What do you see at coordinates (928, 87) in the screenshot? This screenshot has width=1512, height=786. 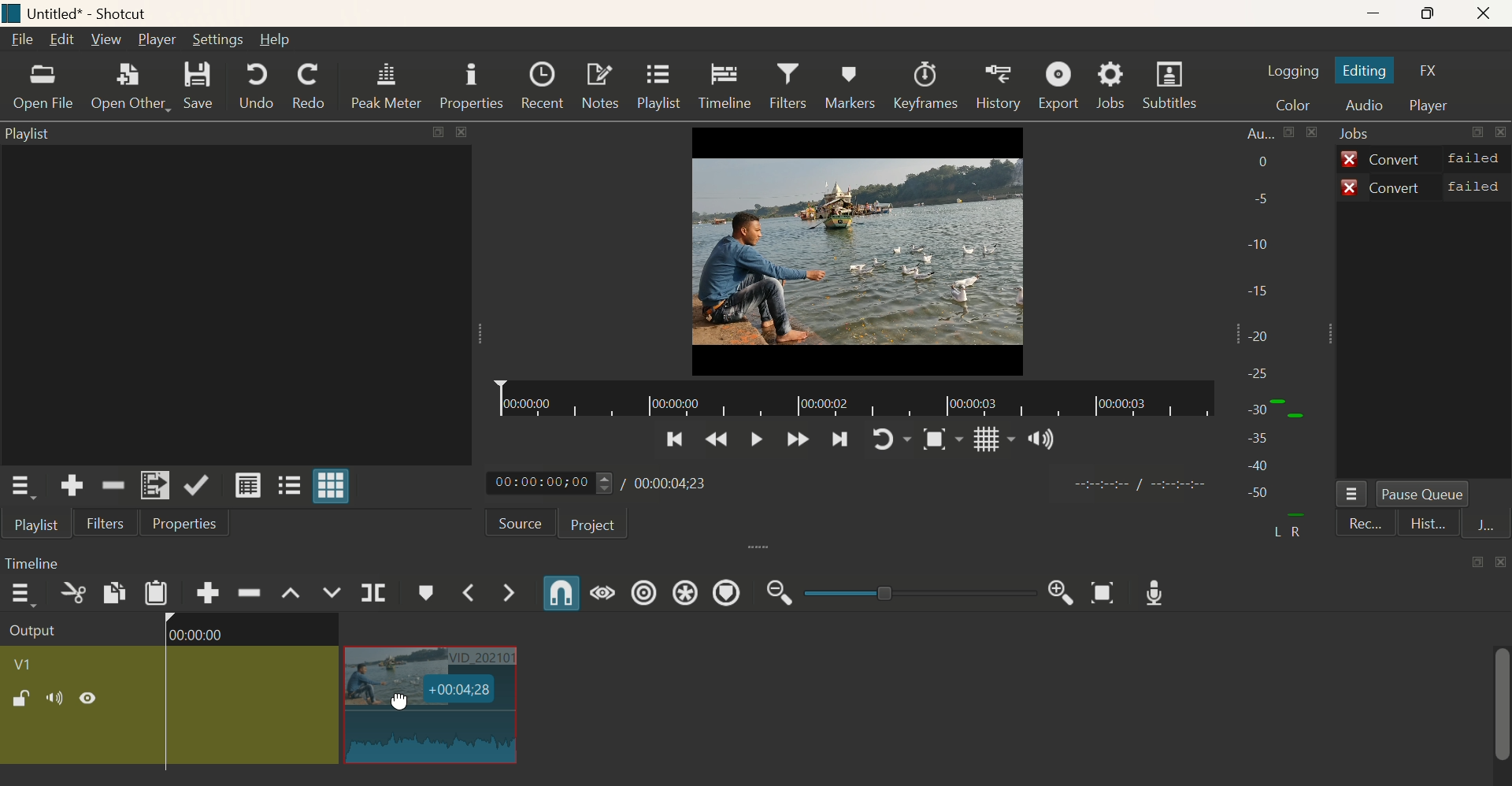 I see `Keeyframes` at bounding box center [928, 87].